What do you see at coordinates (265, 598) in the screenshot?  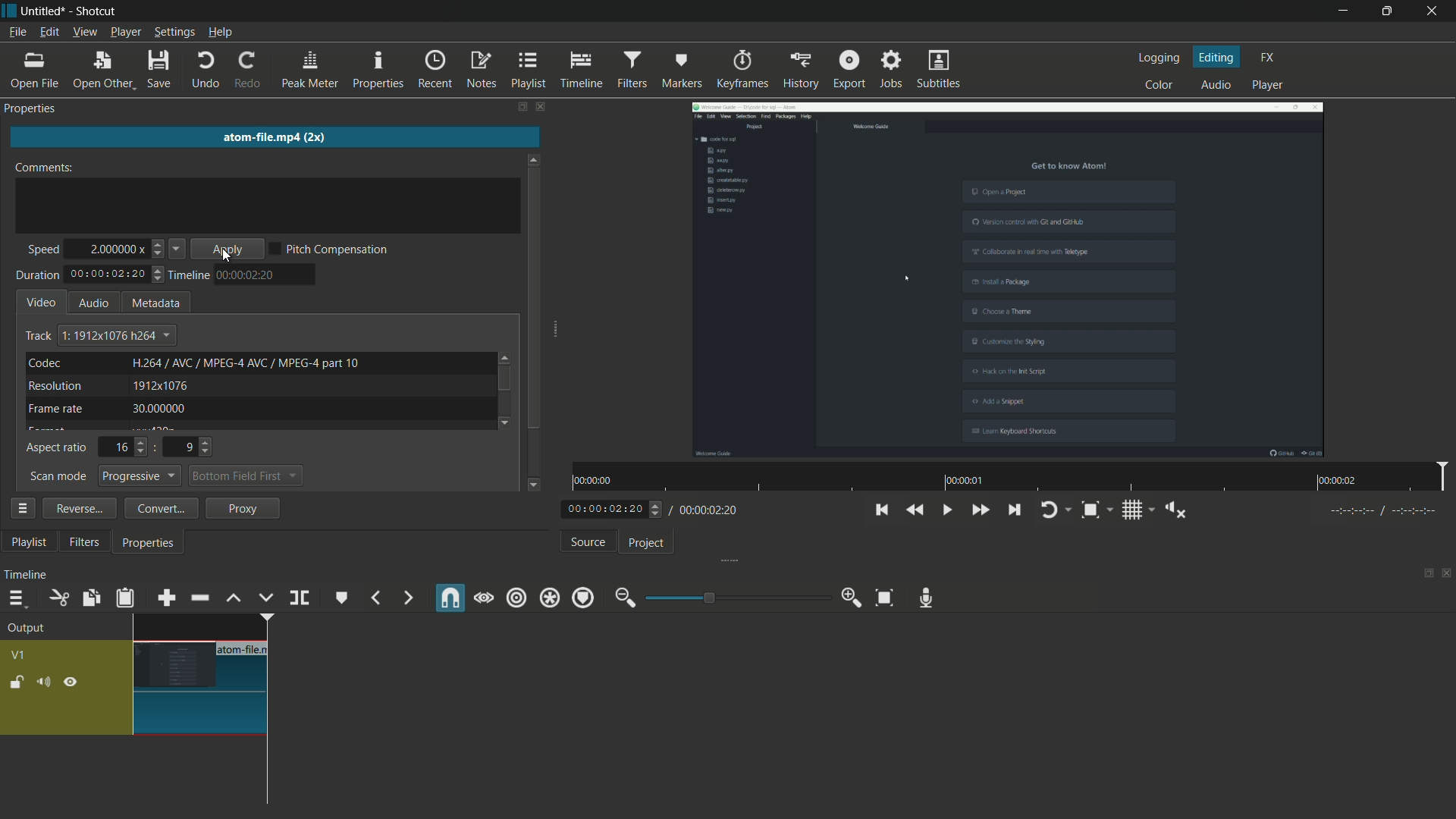 I see `overwrite` at bounding box center [265, 598].